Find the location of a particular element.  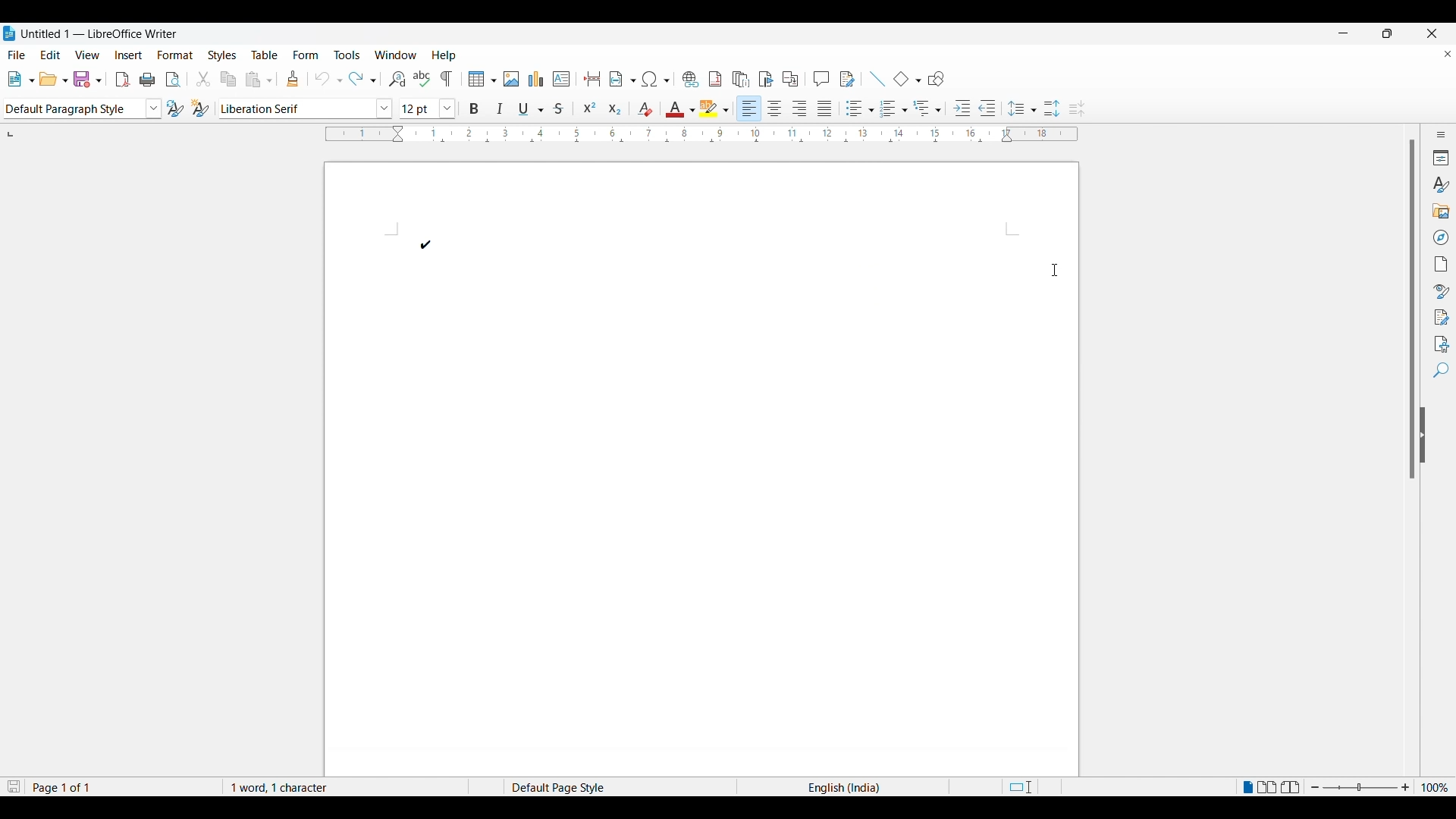

Find is located at coordinates (1439, 373).